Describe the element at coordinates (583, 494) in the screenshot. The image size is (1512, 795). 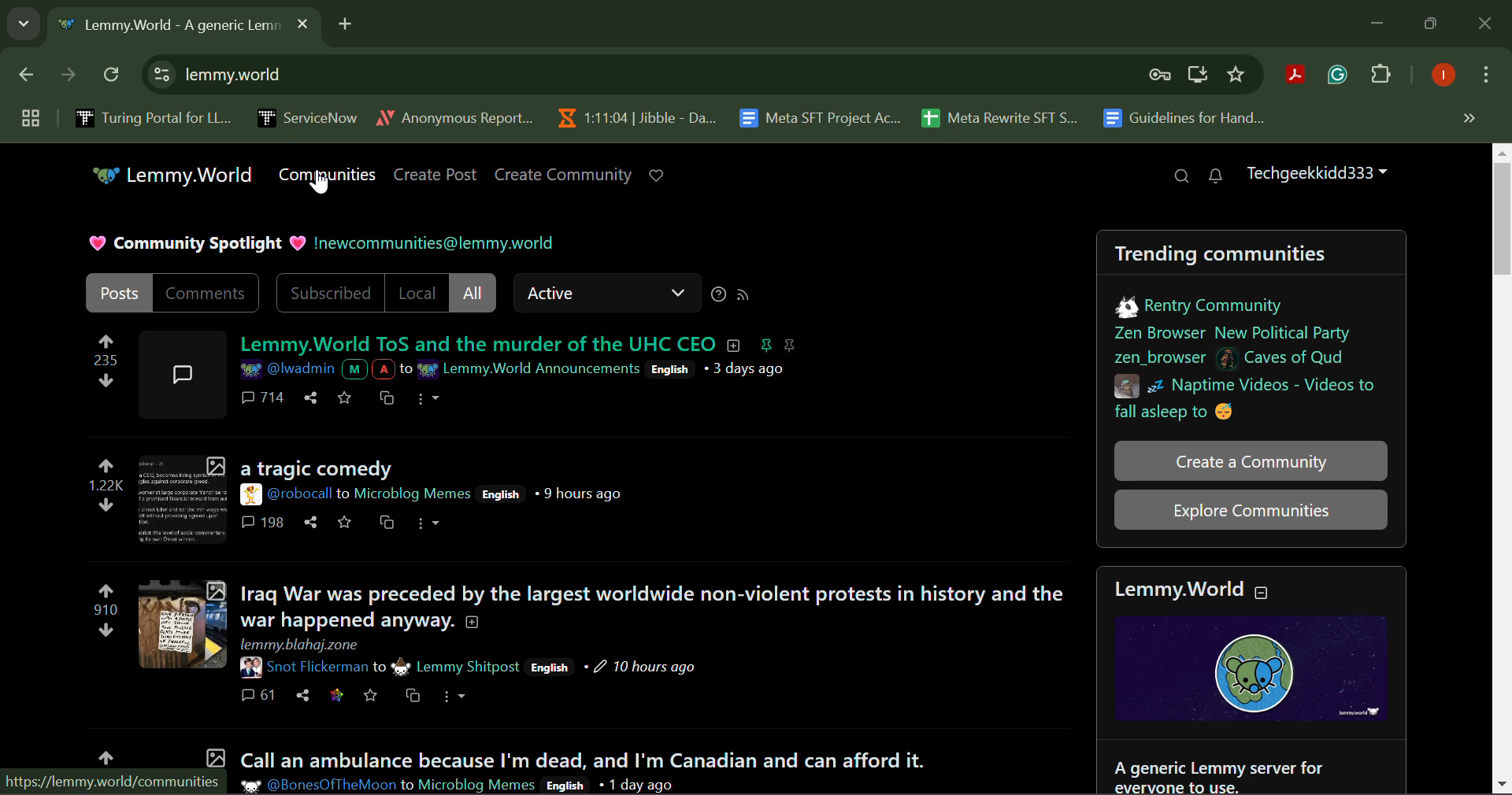
I see `9 hours ago` at that location.